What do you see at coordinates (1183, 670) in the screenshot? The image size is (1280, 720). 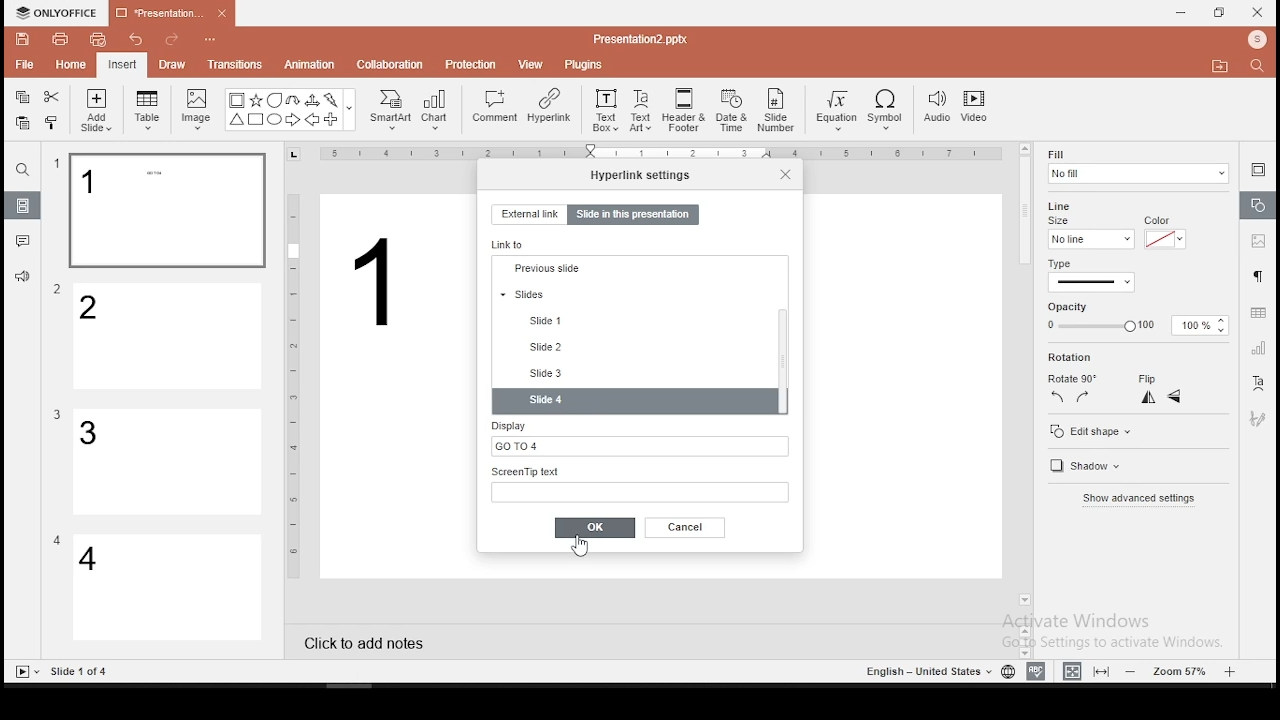 I see `zoom level` at bounding box center [1183, 670].